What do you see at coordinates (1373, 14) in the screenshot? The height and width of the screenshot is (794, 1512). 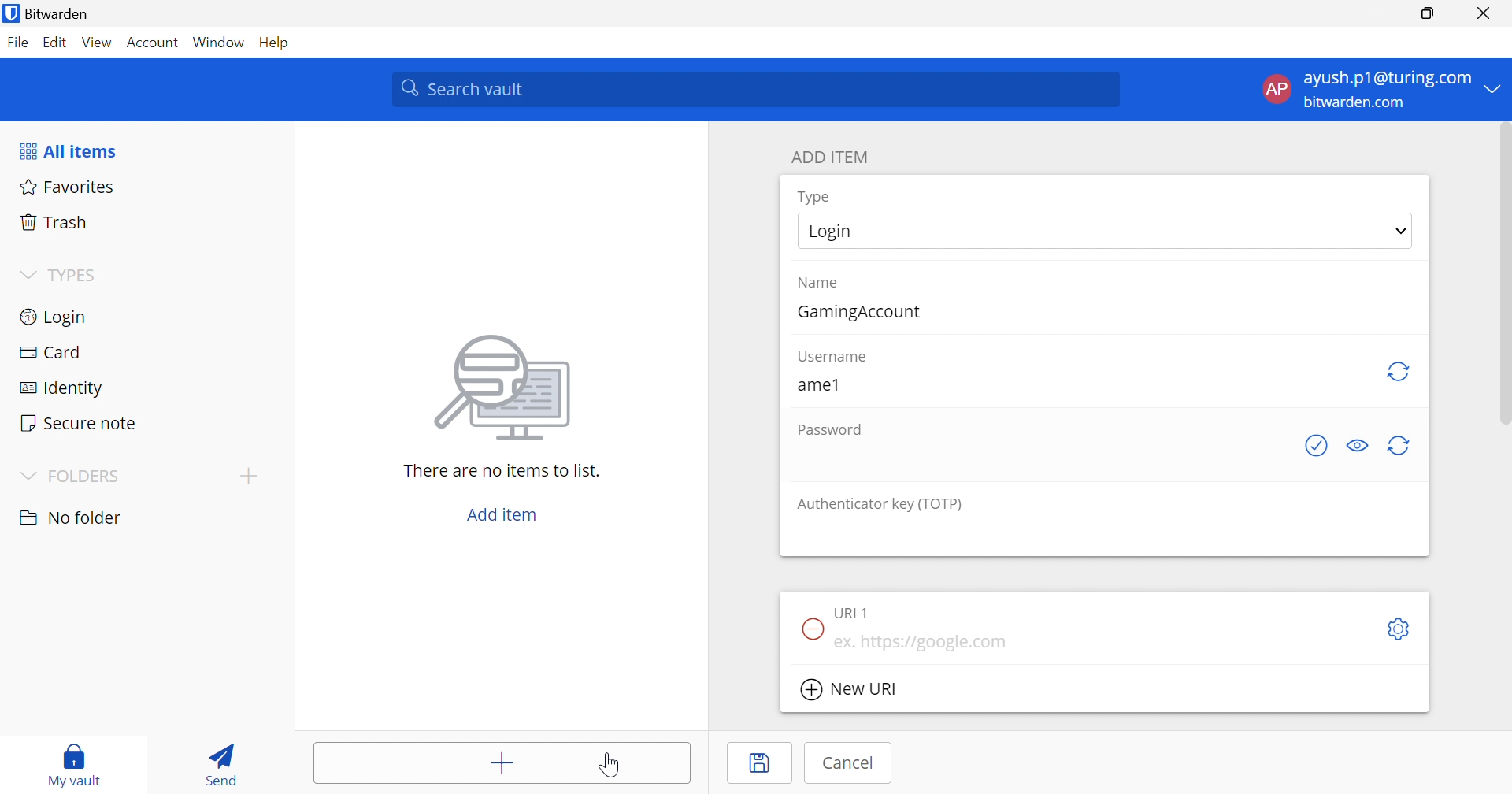 I see `Minimize` at bounding box center [1373, 14].